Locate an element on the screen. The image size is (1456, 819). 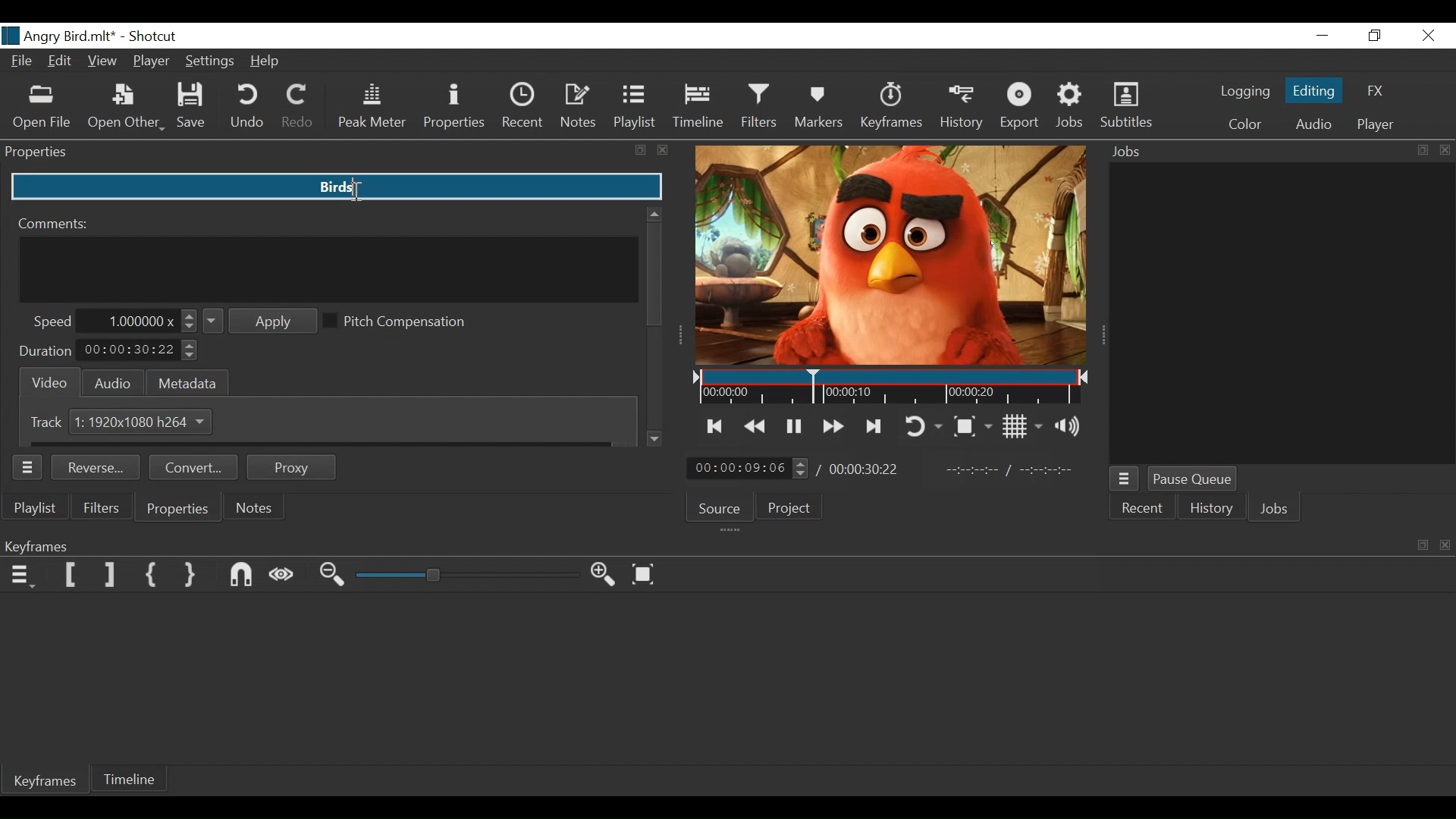
Video is located at coordinates (46, 381).